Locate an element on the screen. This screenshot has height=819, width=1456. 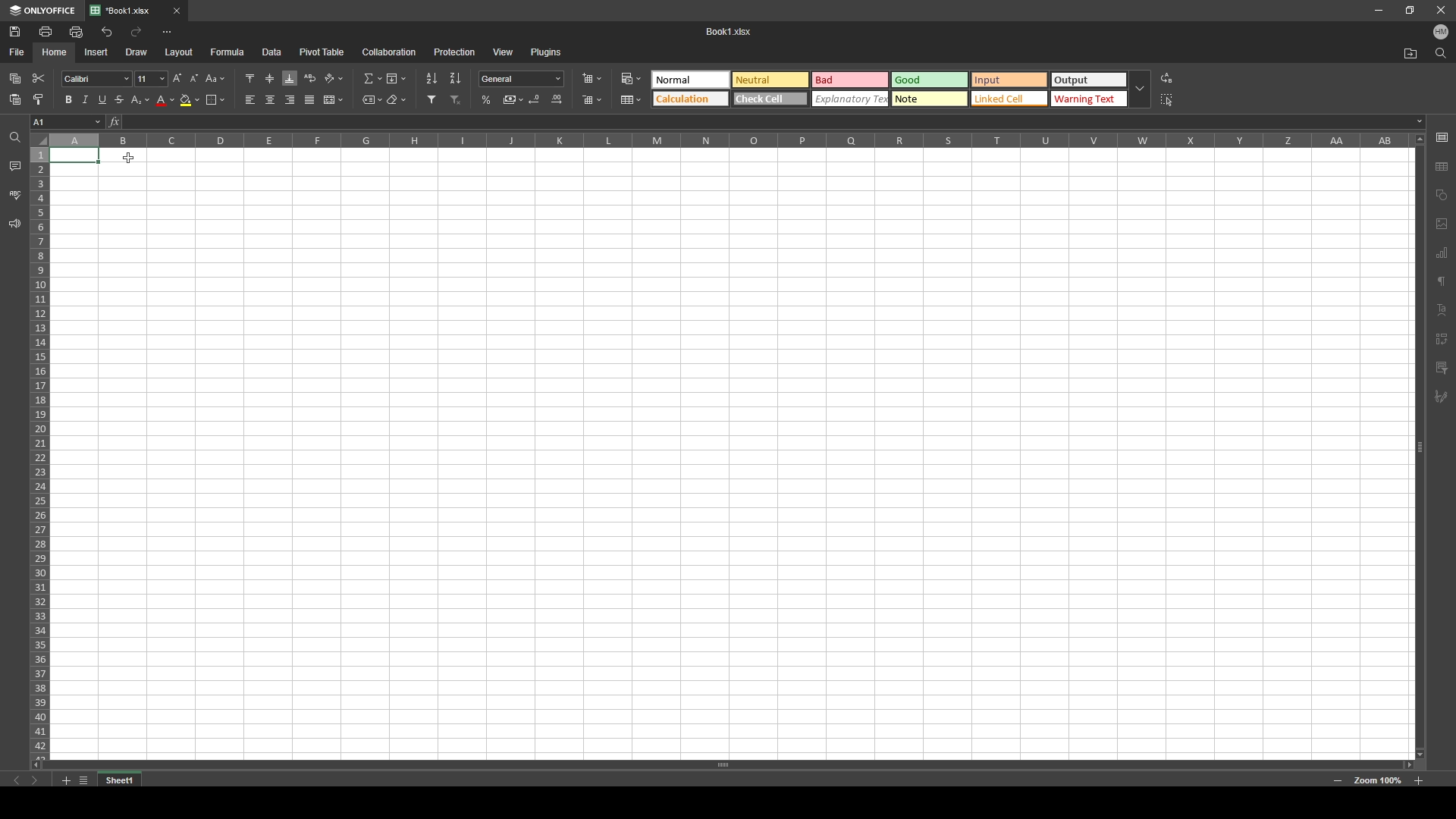
Linked cell is located at coordinates (1010, 99).